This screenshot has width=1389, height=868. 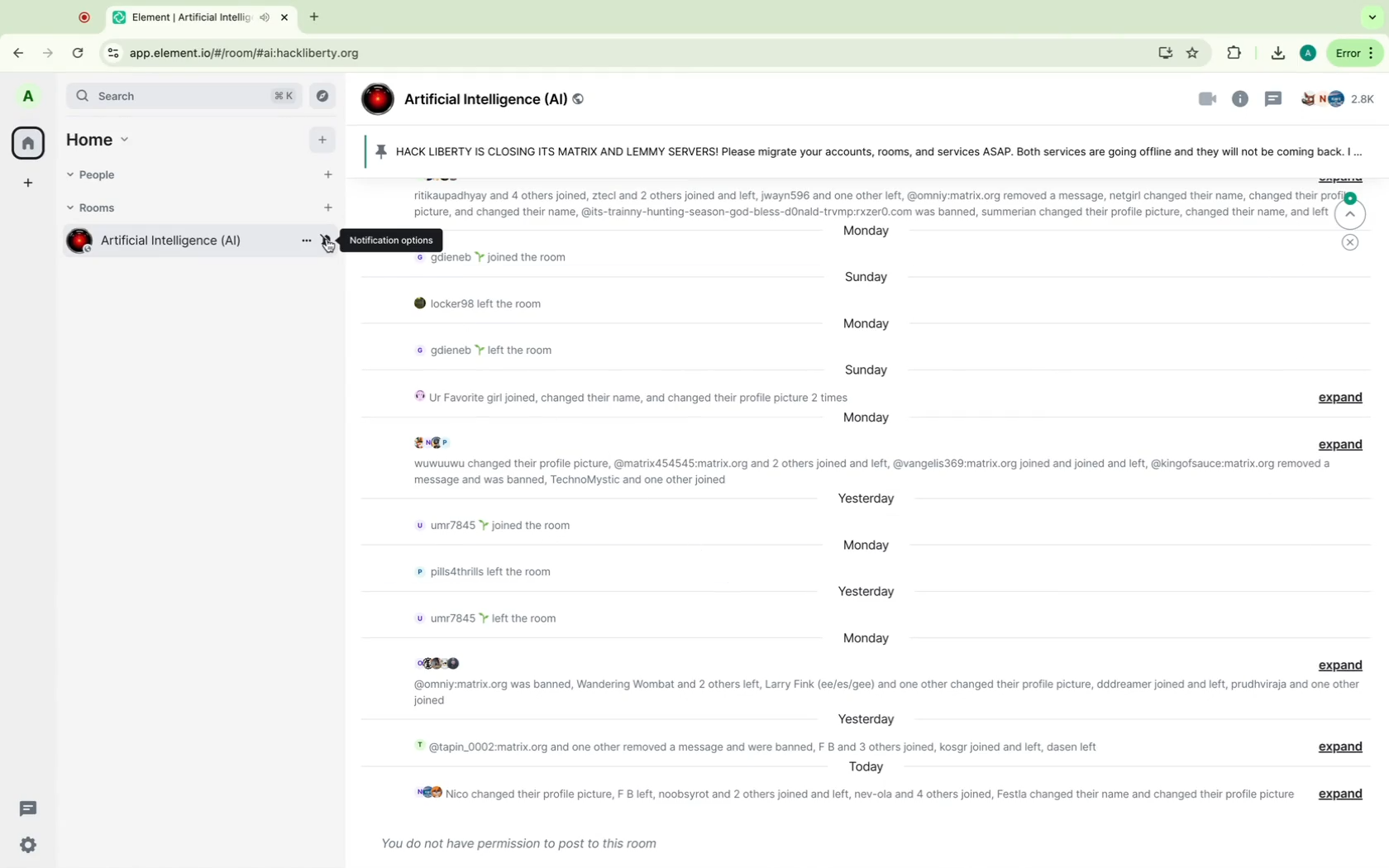 I want to click on message, so click(x=626, y=398).